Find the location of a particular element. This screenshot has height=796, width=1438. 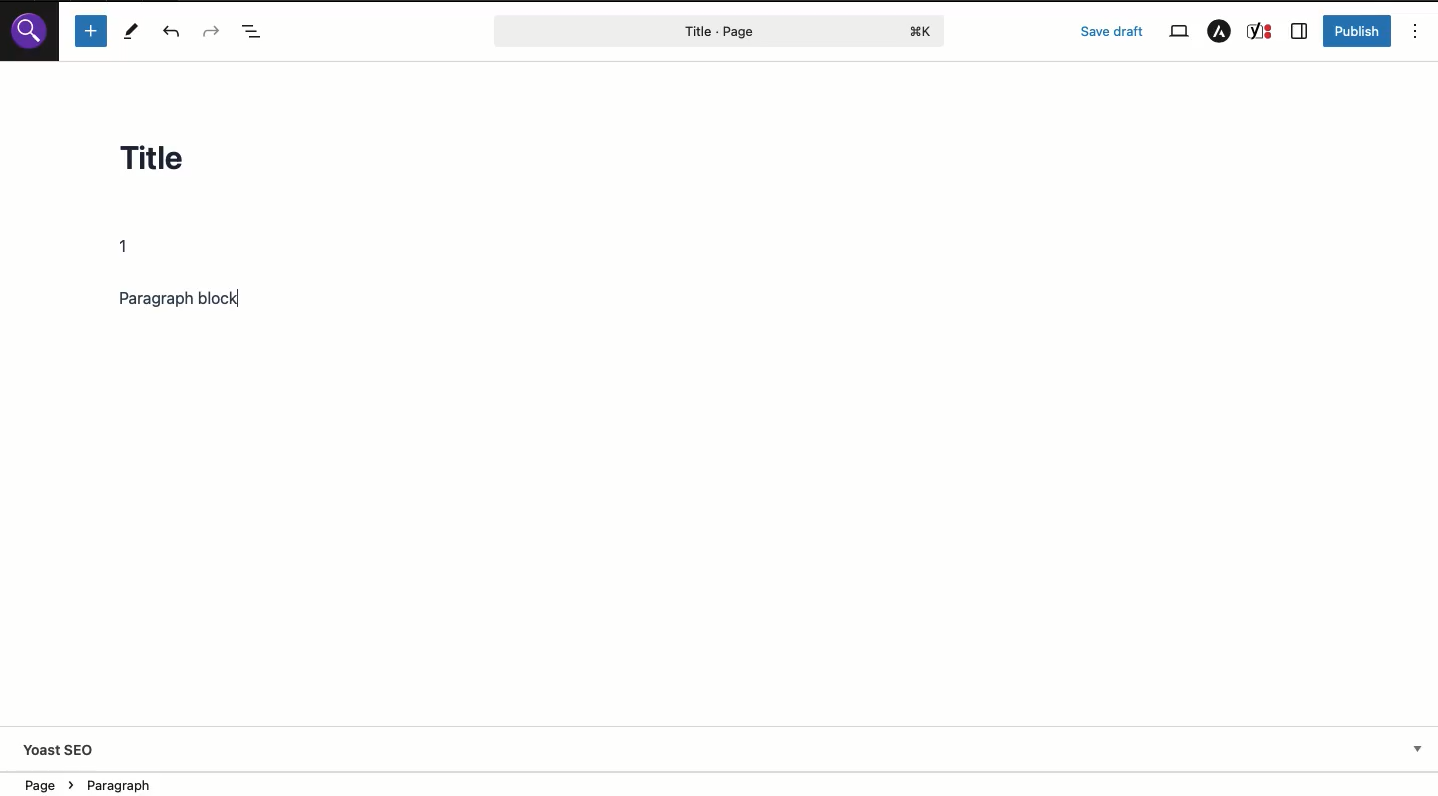

Save draft is located at coordinates (1112, 31).